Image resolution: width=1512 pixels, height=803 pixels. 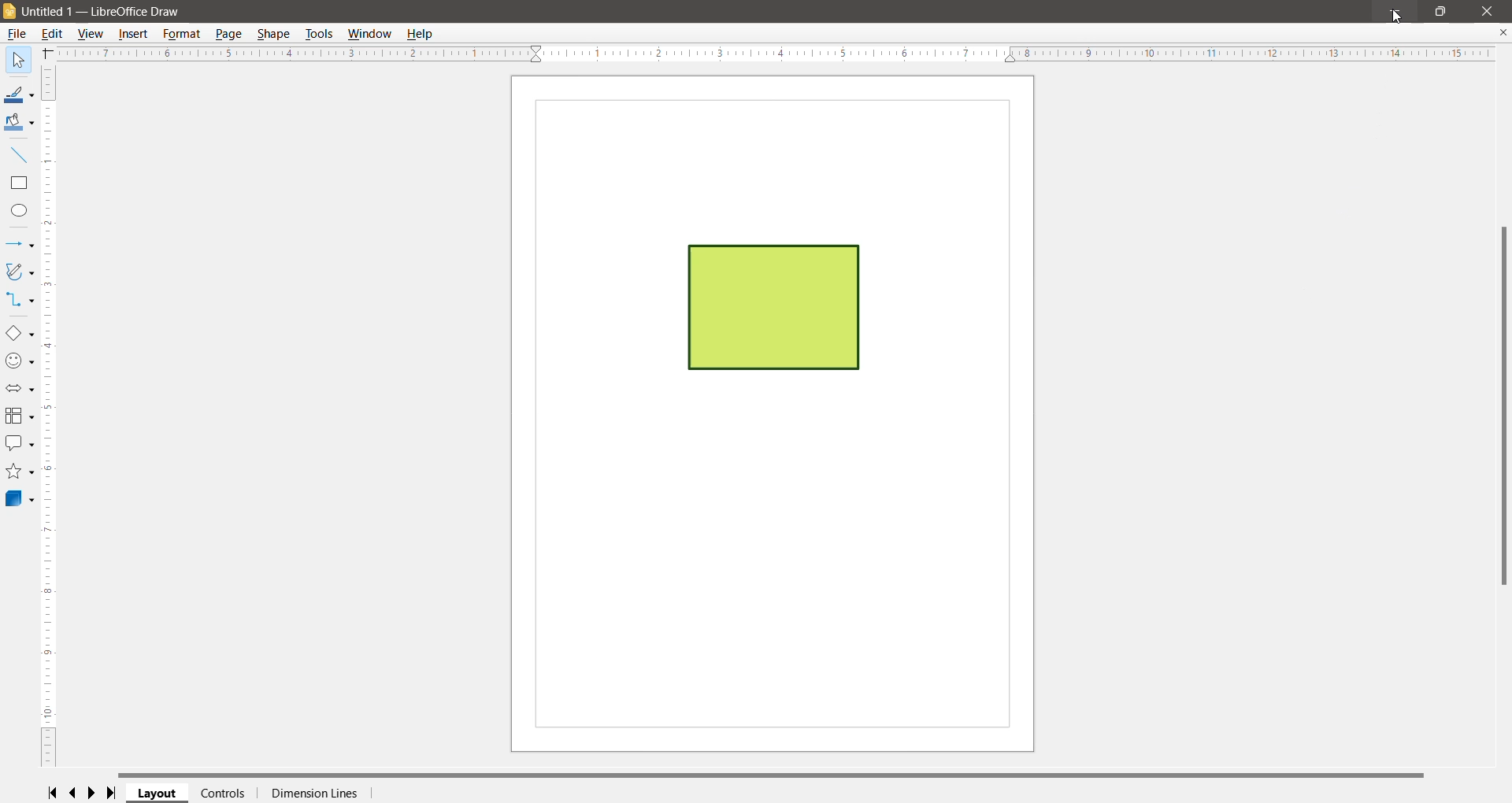 I want to click on Symbol Shapes, so click(x=20, y=362).